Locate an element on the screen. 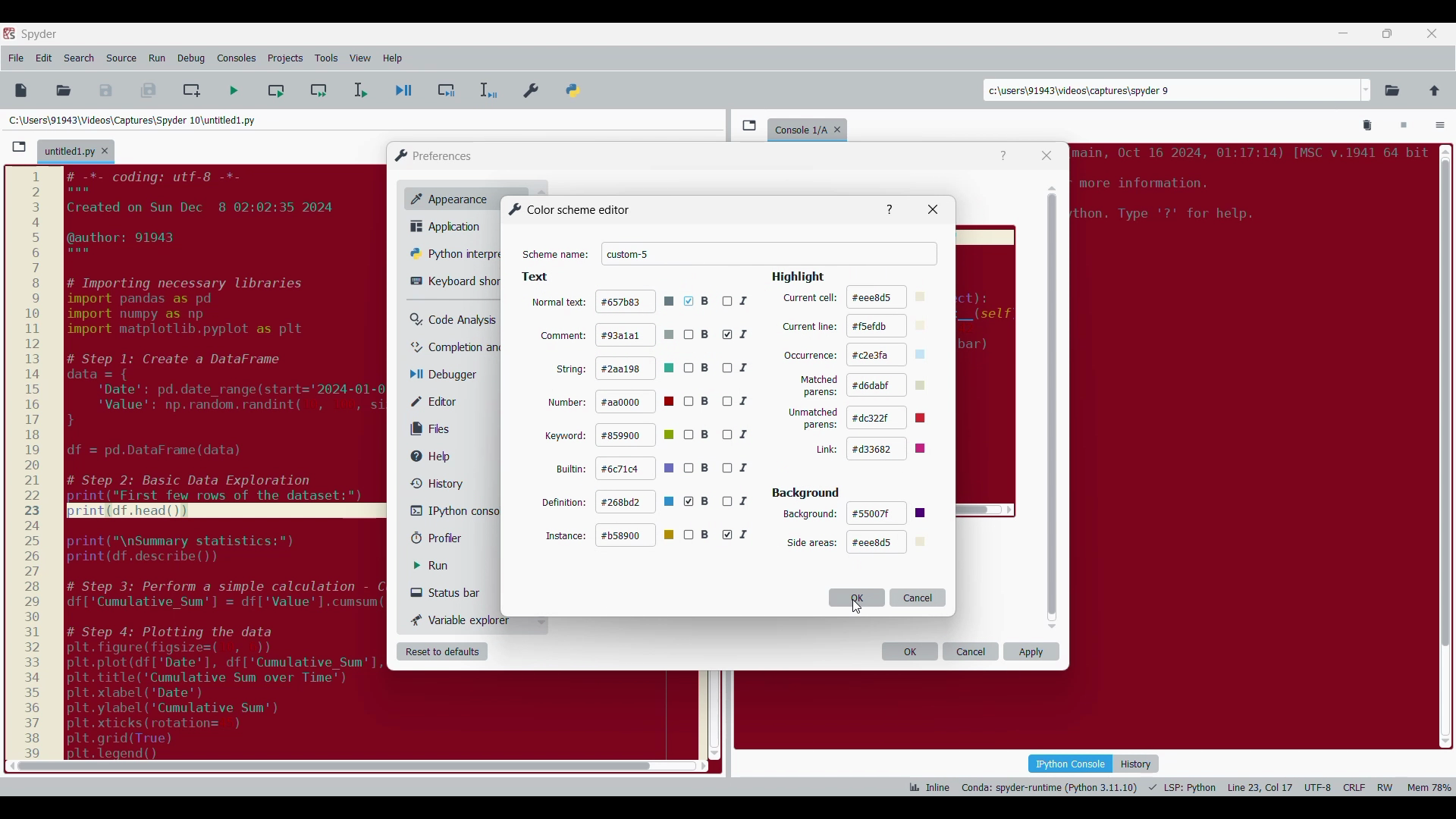  link is located at coordinates (825, 450).